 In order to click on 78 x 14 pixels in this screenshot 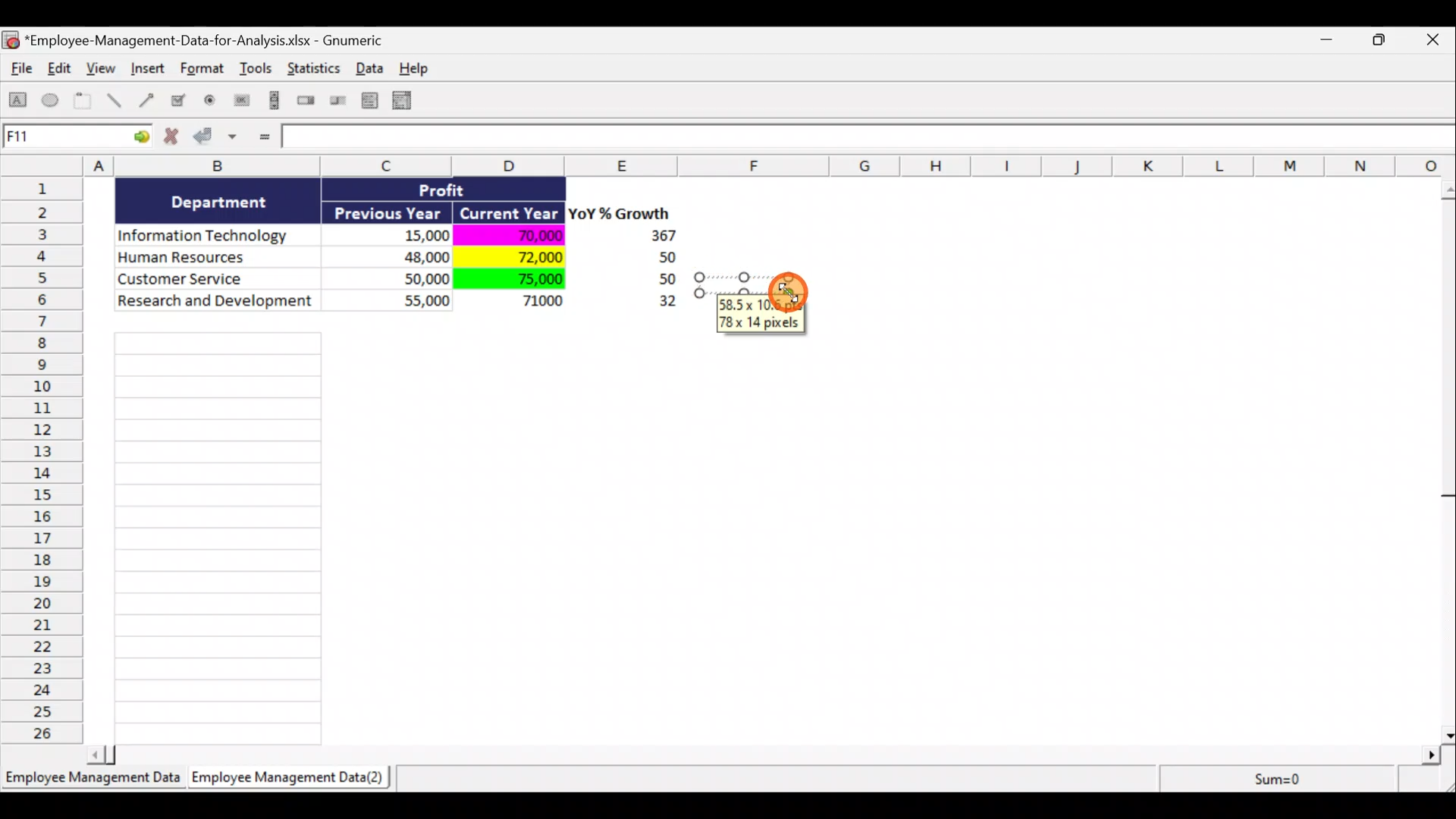, I will do `click(761, 323)`.